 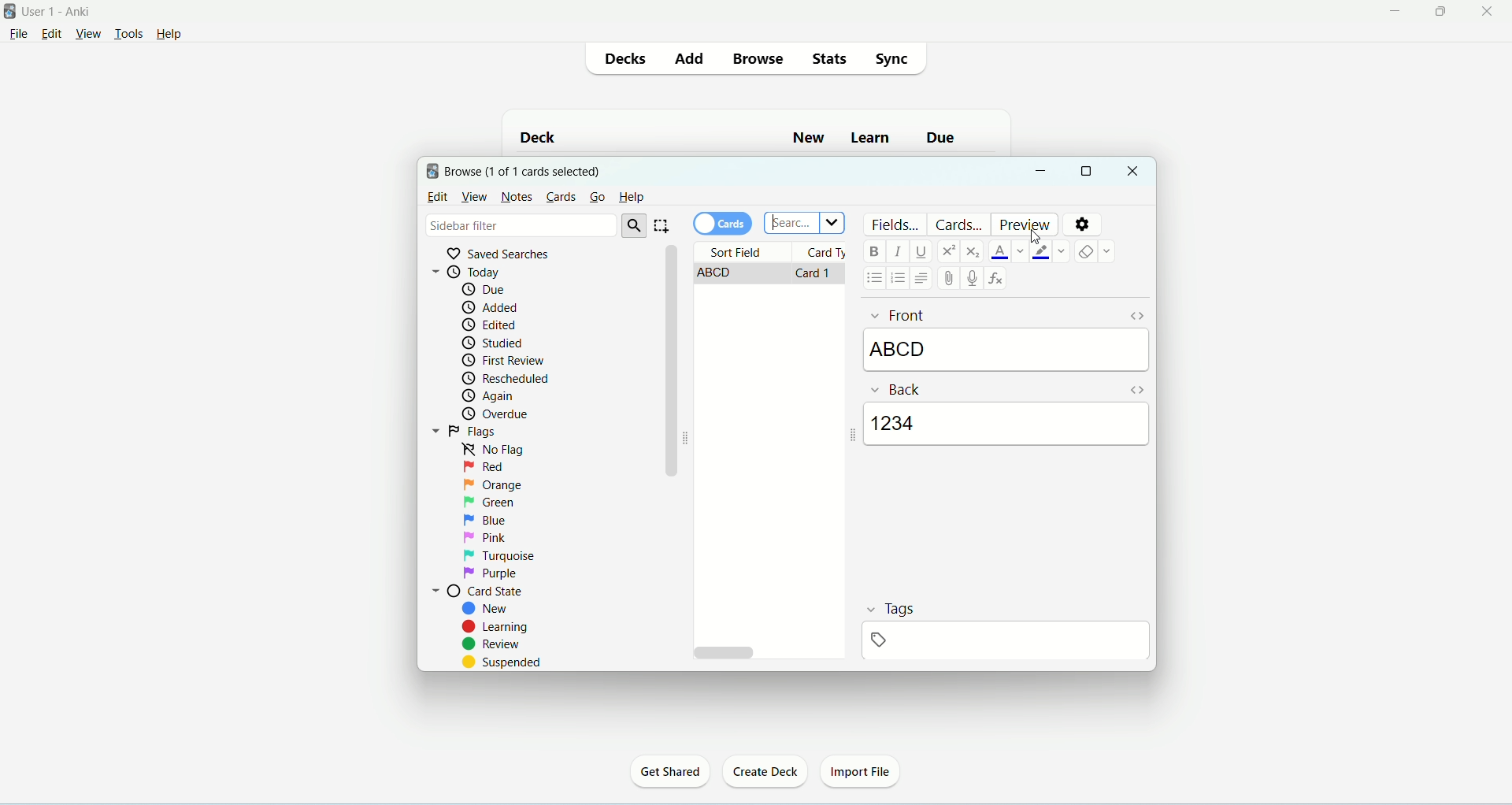 I want to click on cursor, so click(x=1038, y=237).